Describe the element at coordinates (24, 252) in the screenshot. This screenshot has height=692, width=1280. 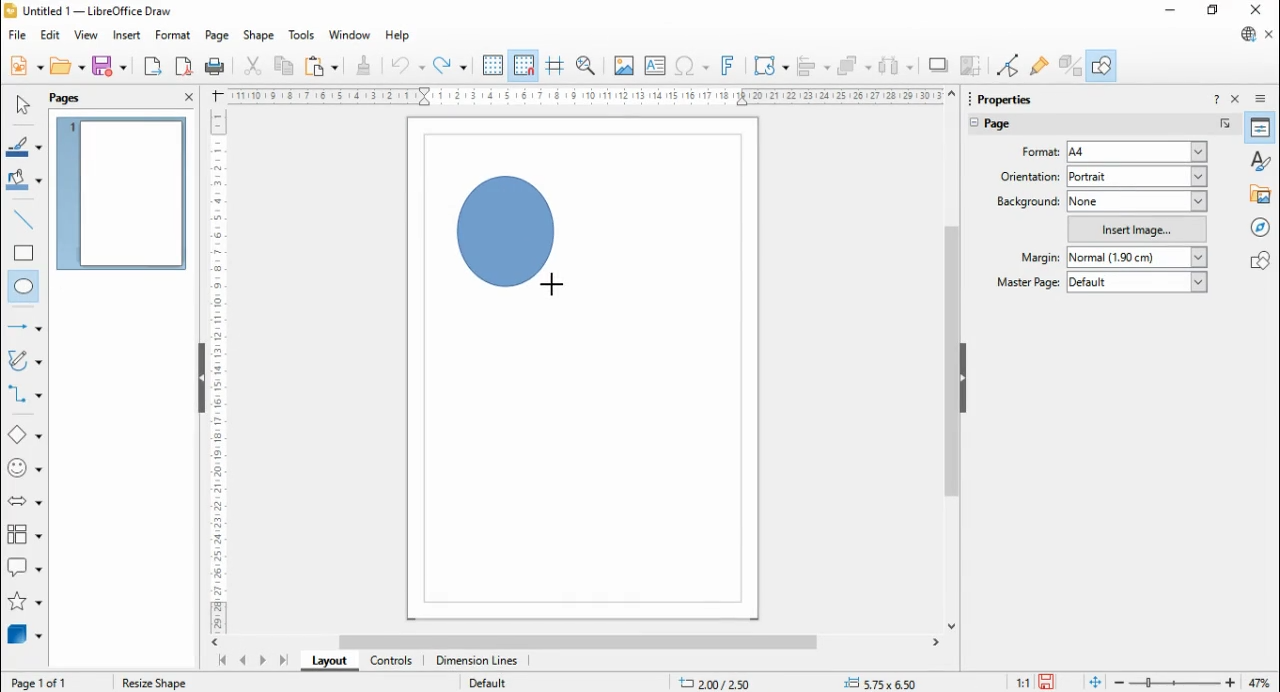
I see `rectangle` at that location.